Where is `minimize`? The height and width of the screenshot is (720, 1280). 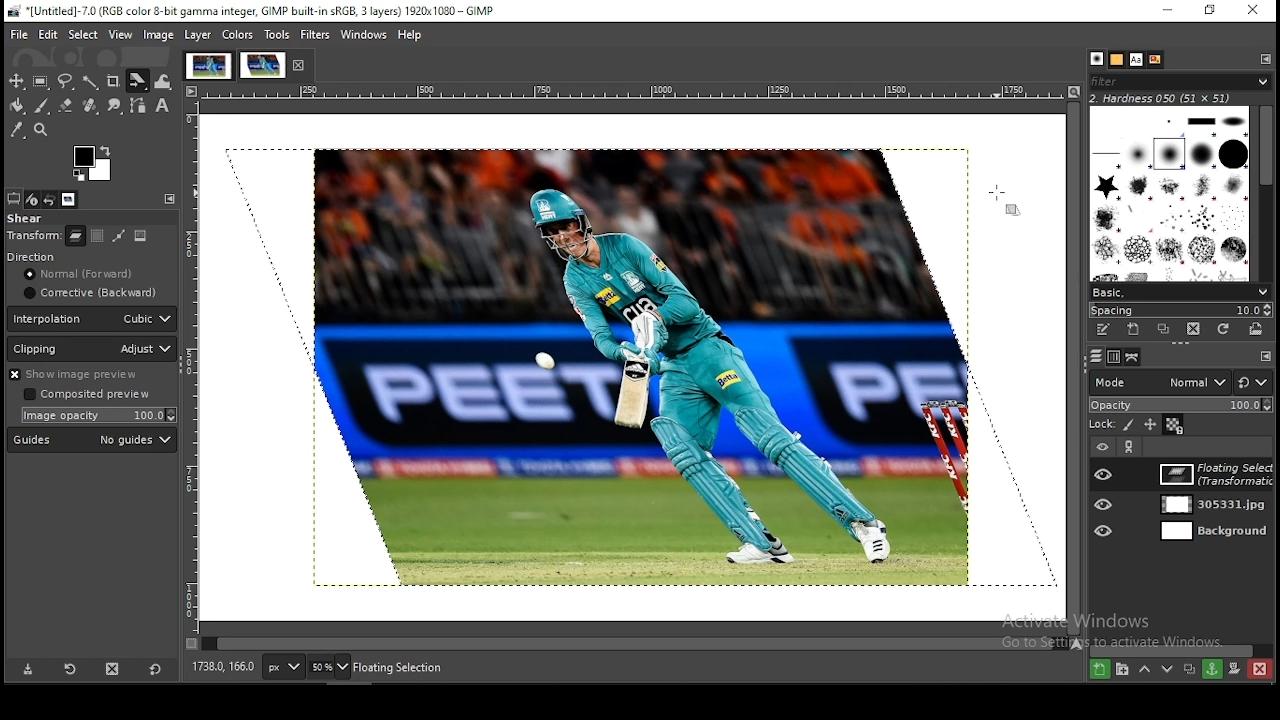 minimize is located at coordinates (1164, 12).